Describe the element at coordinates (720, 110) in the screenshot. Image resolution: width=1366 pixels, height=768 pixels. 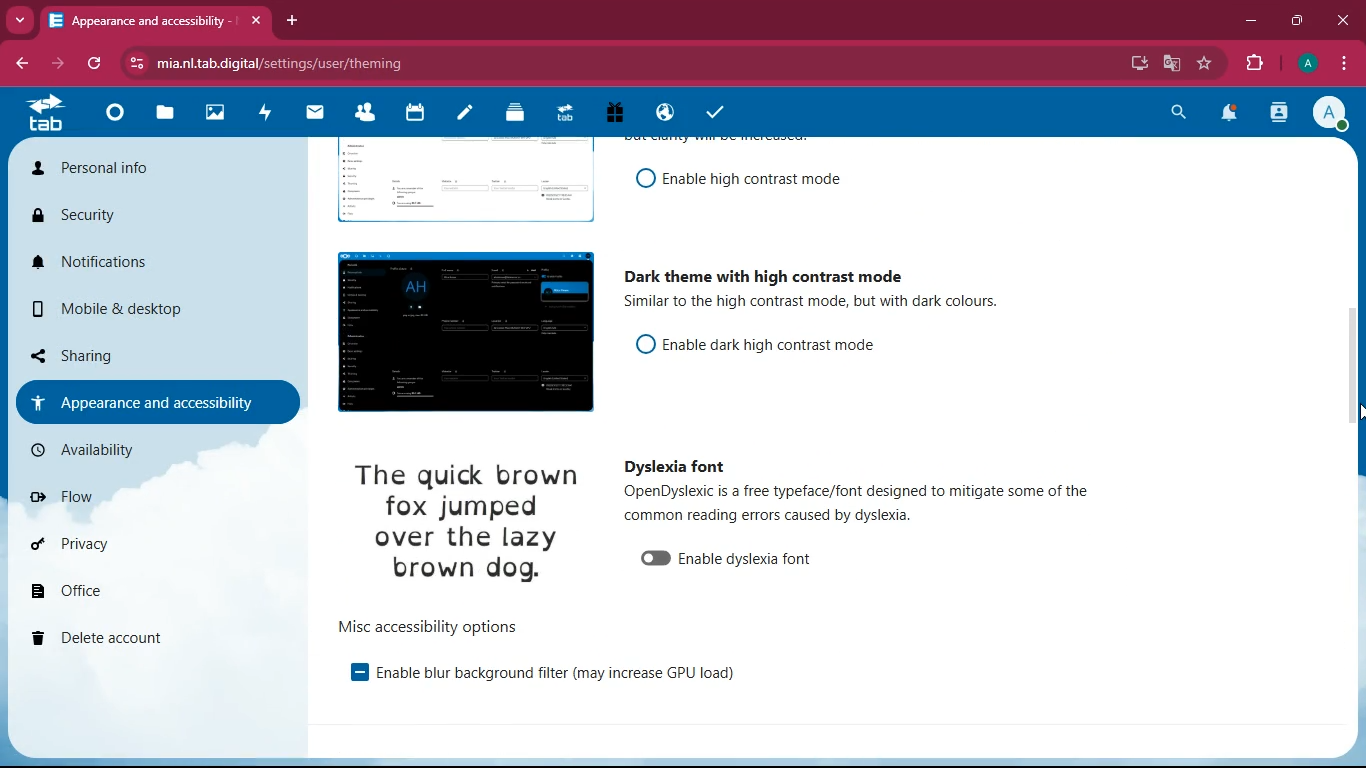
I see `tasks` at that location.